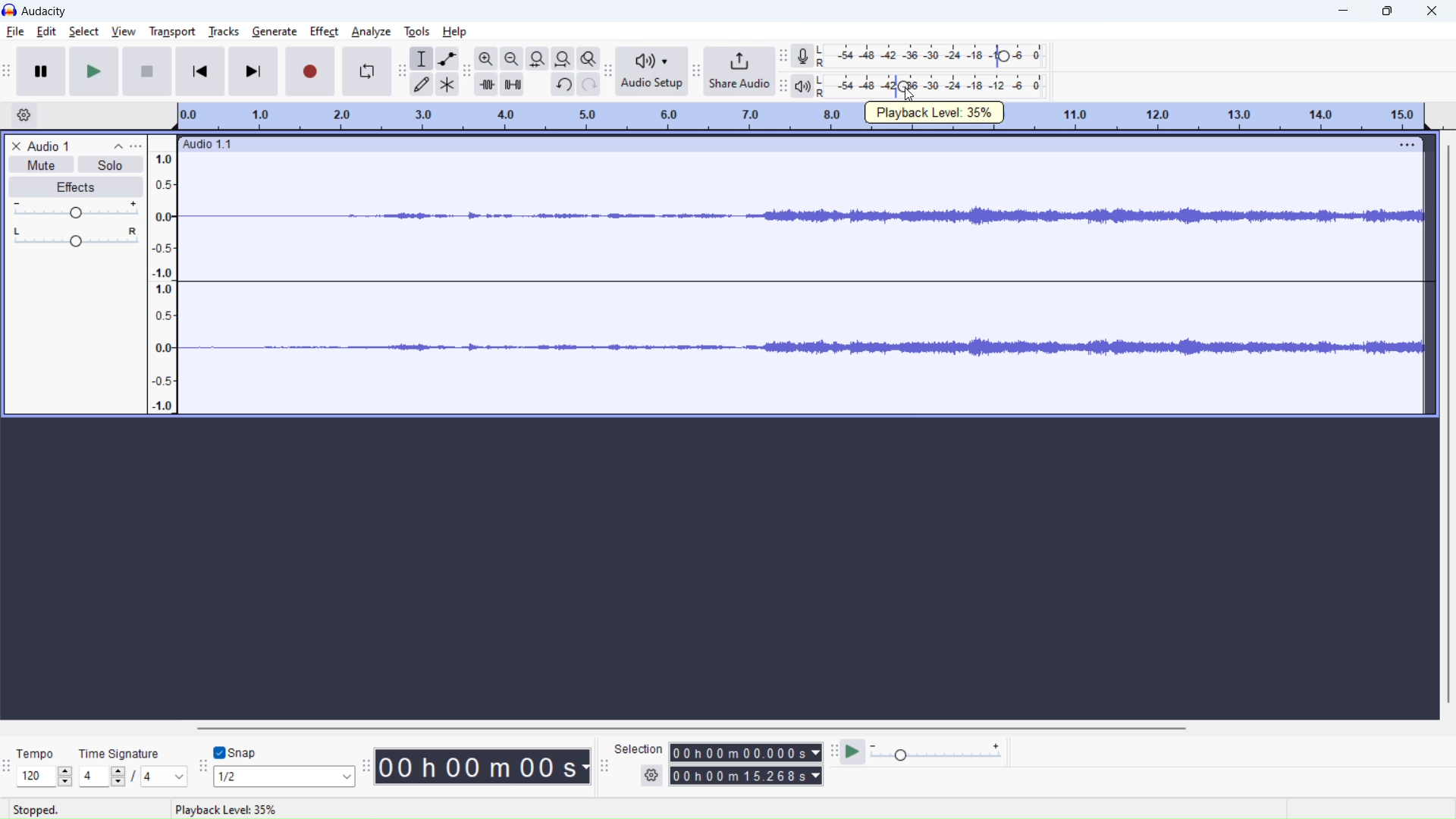 This screenshot has width=1456, height=819. What do you see at coordinates (486, 58) in the screenshot?
I see `zoom in` at bounding box center [486, 58].